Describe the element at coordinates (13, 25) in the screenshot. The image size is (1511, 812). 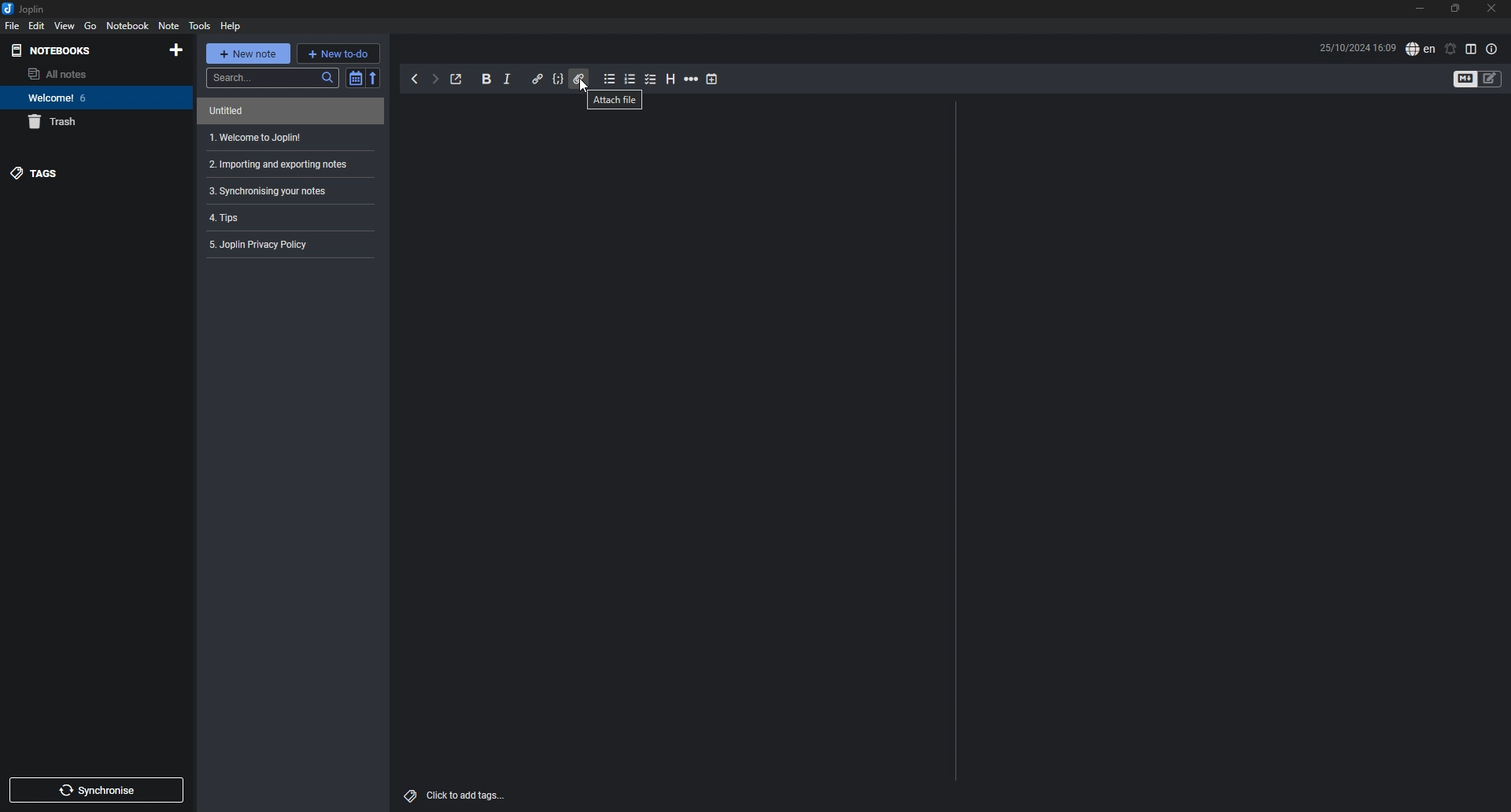
I see `file` at that location.